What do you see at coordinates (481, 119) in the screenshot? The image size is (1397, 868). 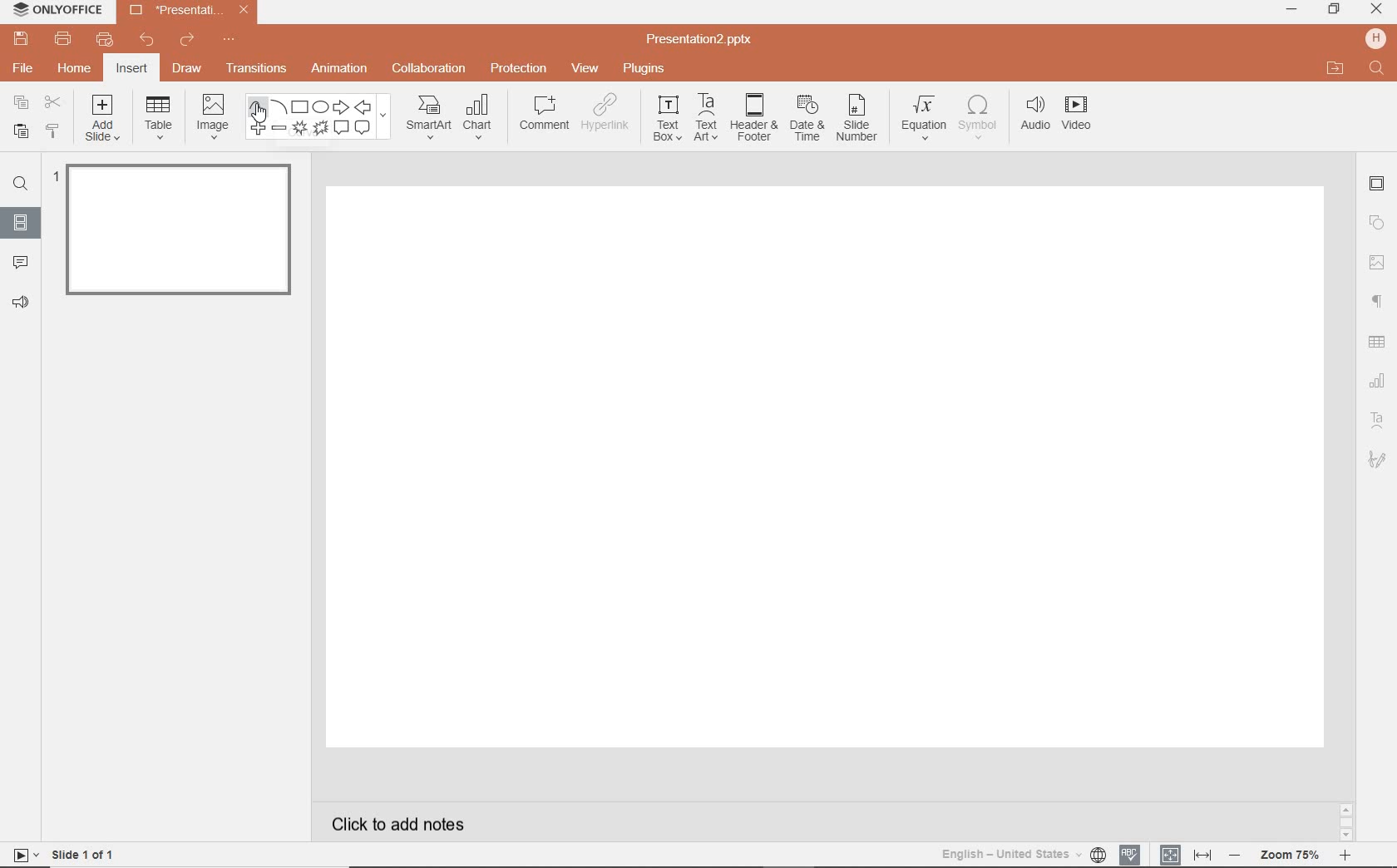 I see `CHART` at bounding box center [481, 119].